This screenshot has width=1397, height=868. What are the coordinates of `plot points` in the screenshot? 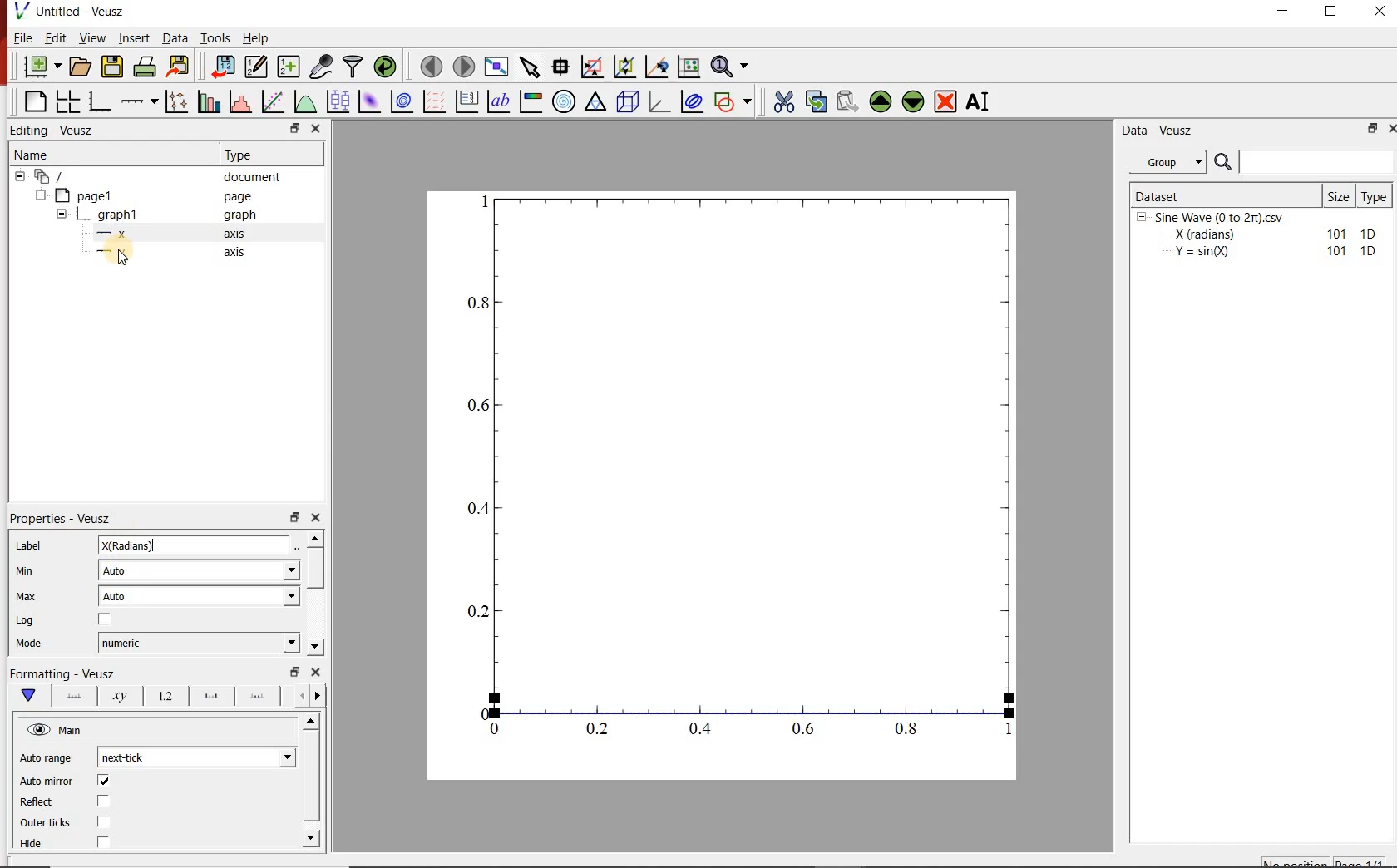 It's located at (179, 101).